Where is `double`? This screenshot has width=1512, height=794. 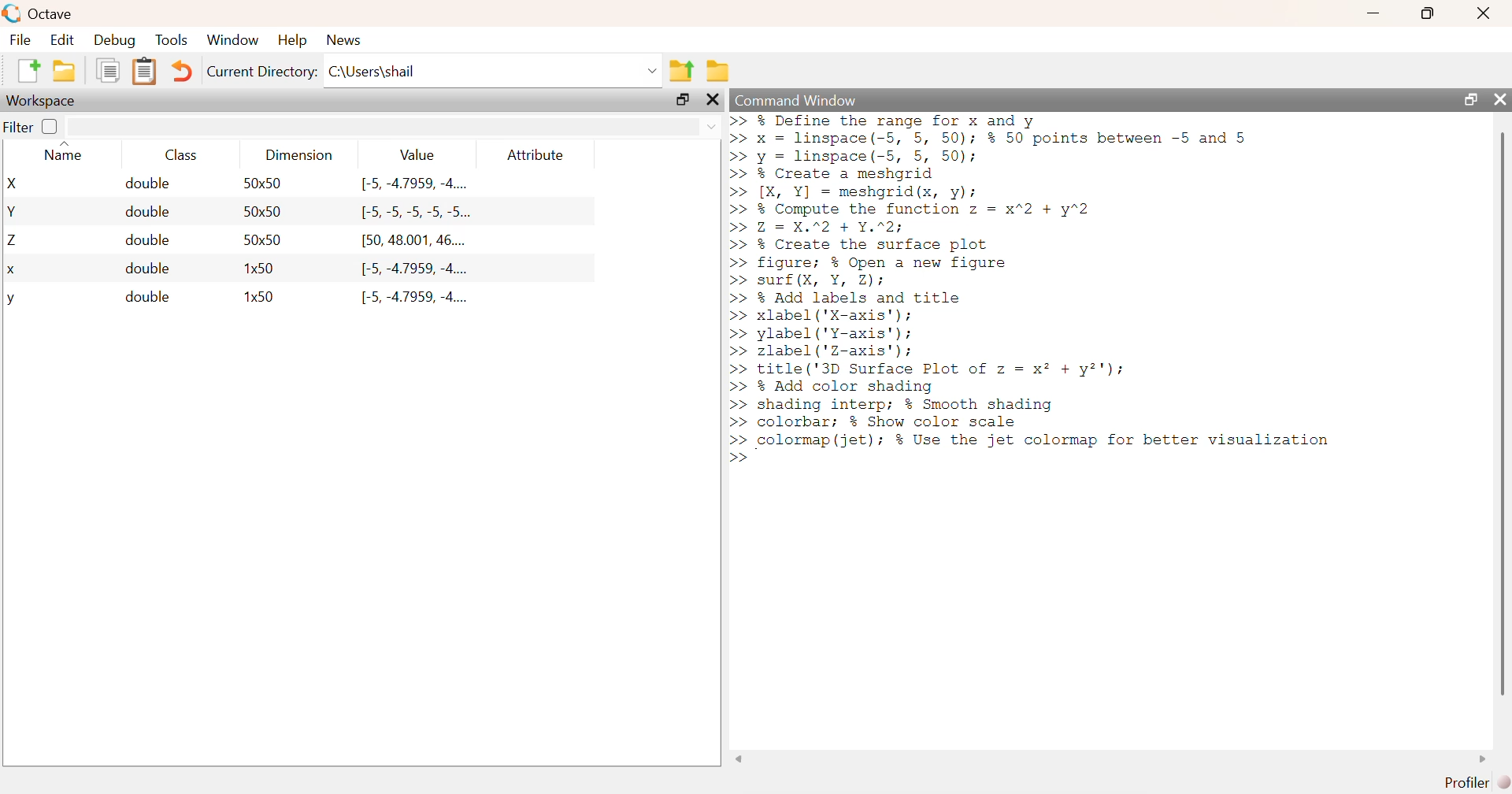 double is located at coordinates (147, 268).